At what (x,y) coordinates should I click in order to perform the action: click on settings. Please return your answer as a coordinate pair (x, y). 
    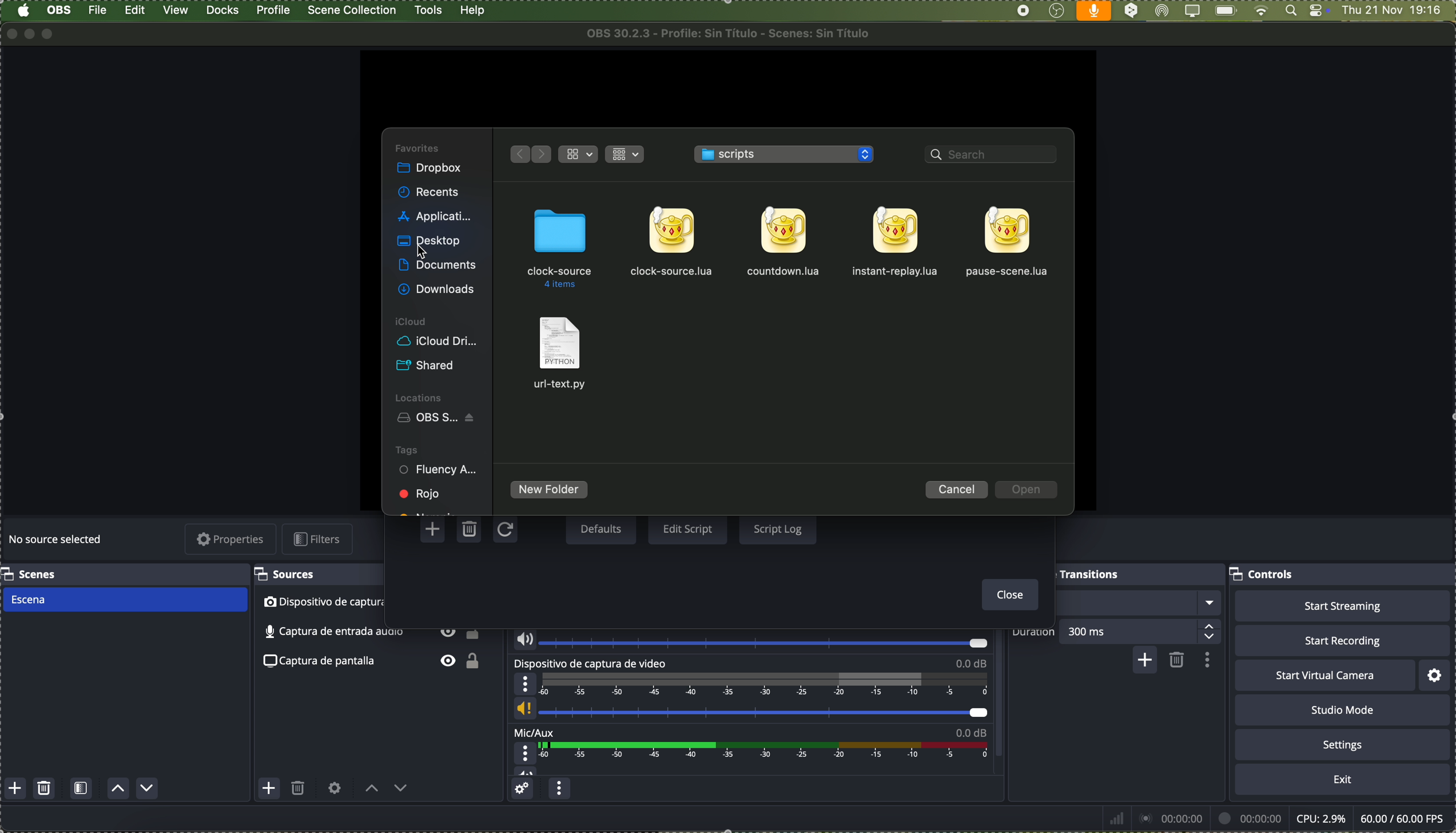
    Looking at the image, I should click on (1343, 744).